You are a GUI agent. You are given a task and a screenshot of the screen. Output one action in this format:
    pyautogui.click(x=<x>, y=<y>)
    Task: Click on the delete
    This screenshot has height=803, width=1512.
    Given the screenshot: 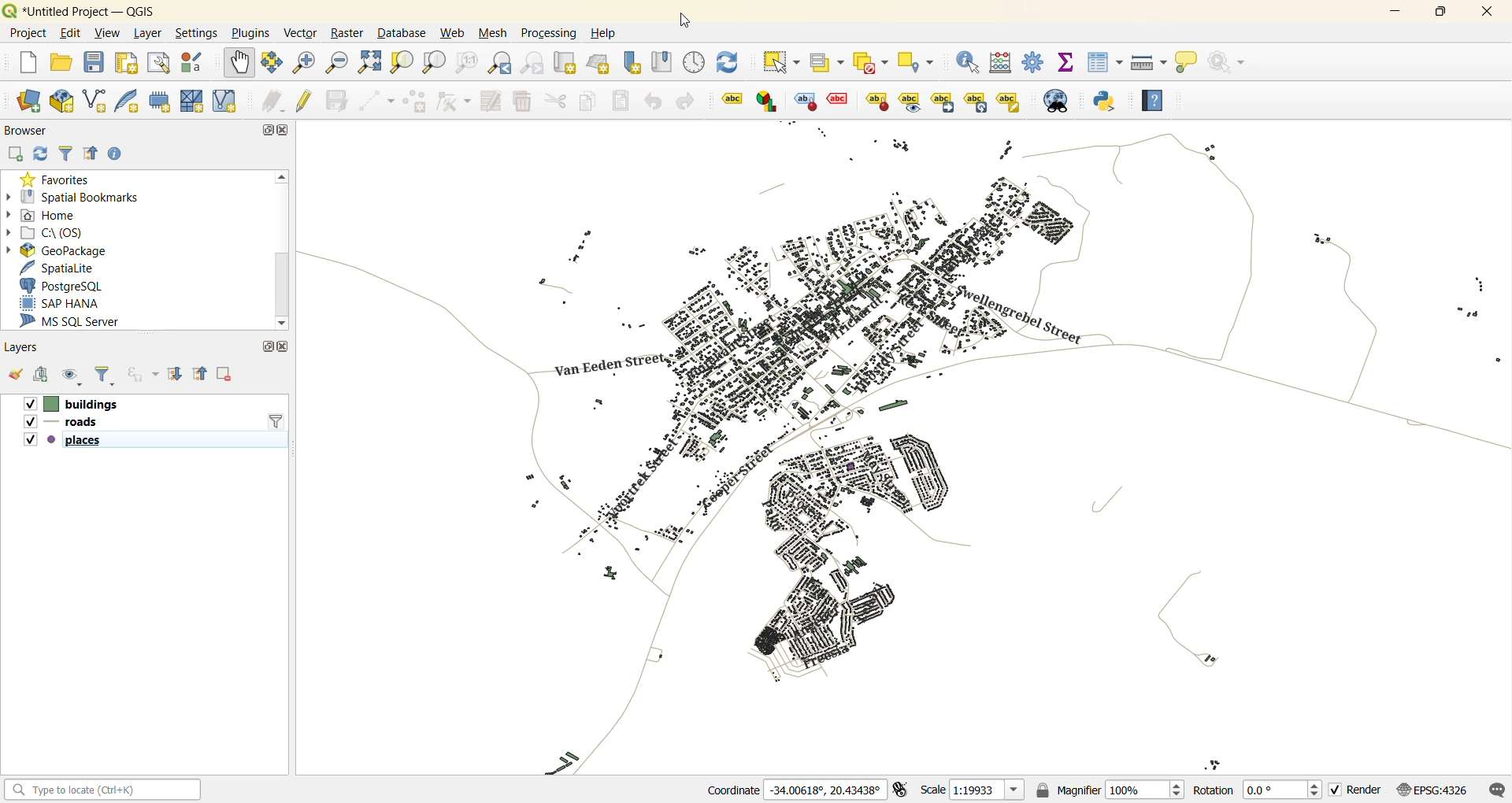 What is the action you would take?
    pyautogui.click(x=524, y=102)
    